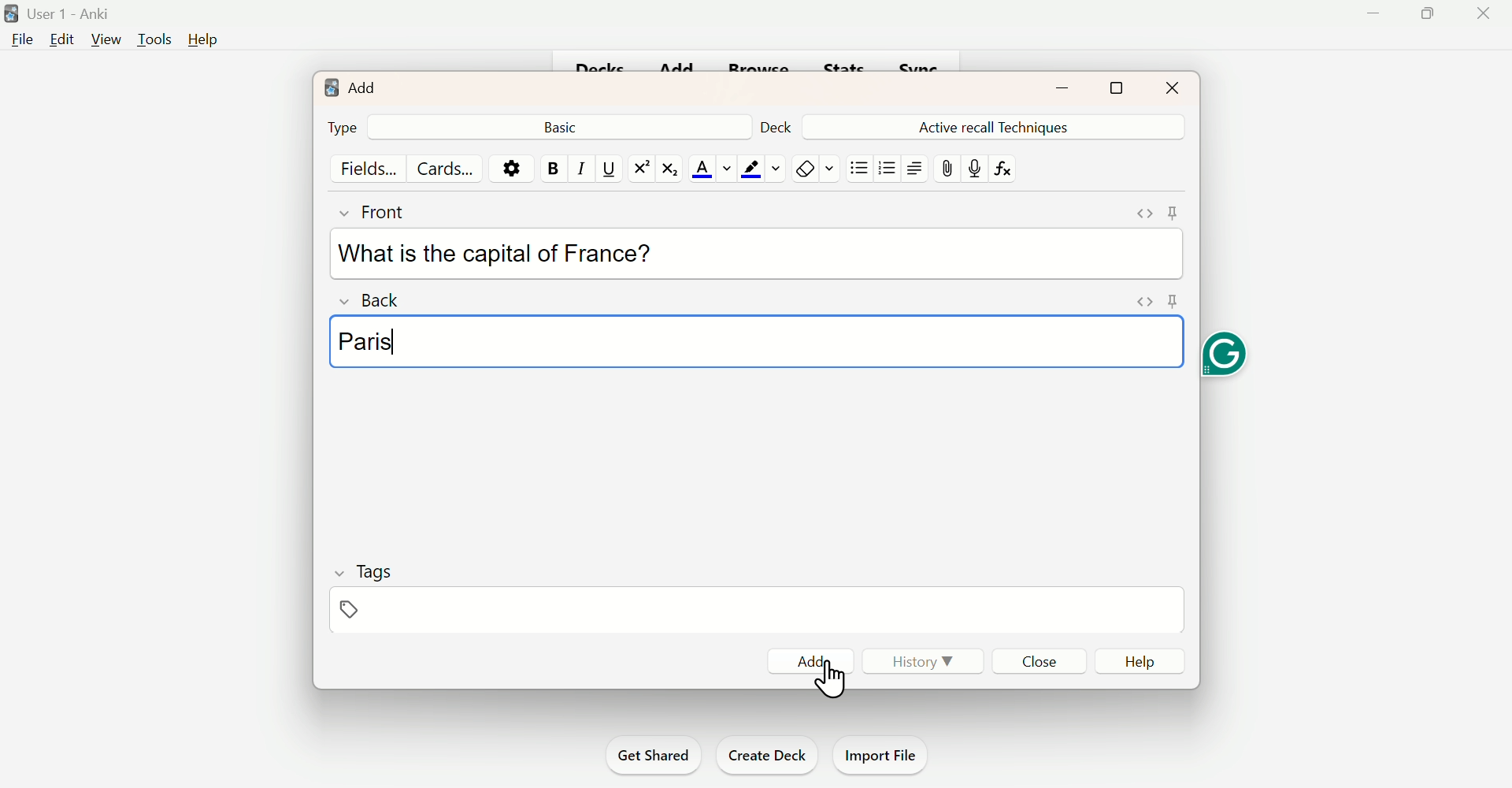  I want to click on Superscript, so click(639, 168).